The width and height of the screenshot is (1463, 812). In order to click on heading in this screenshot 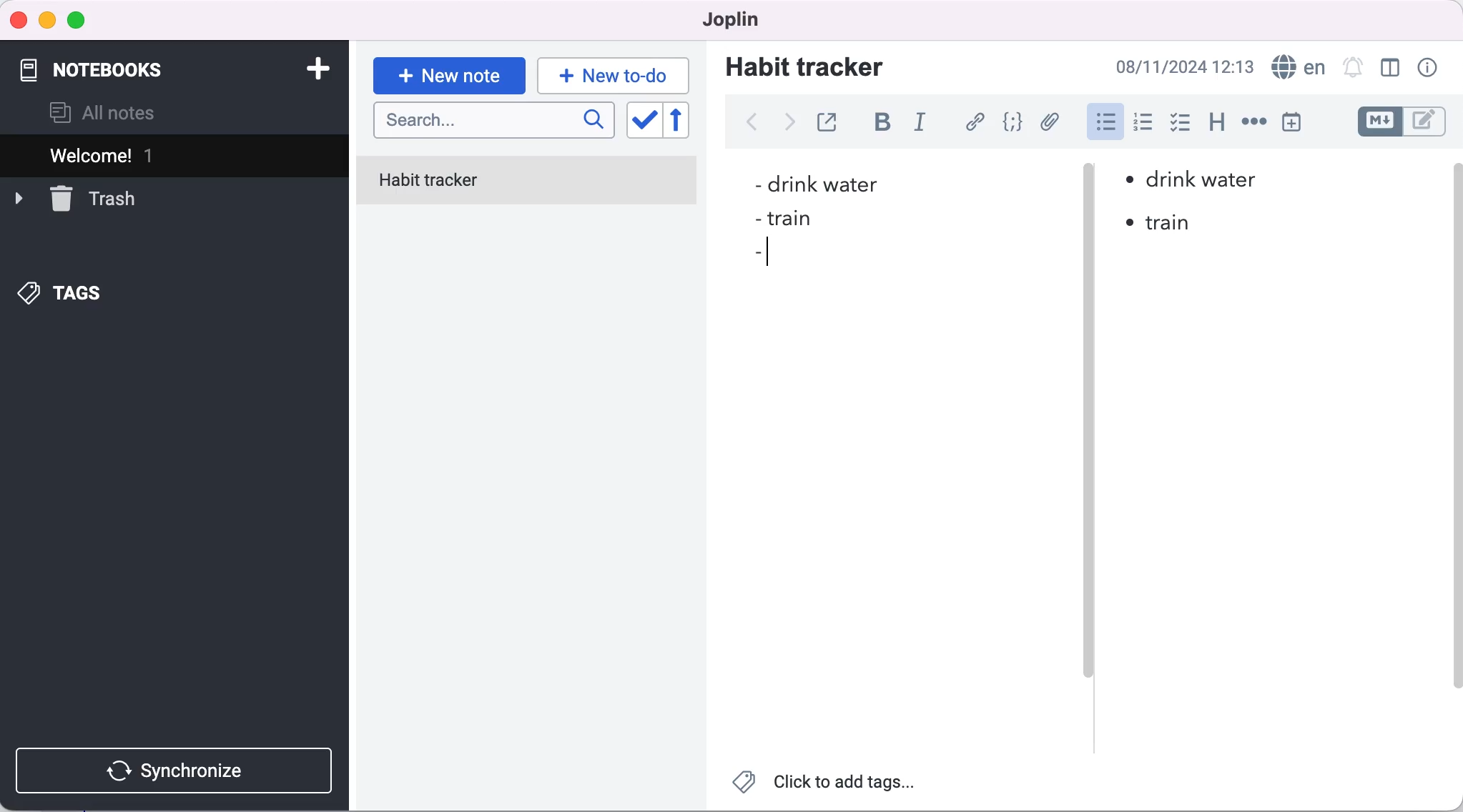, I will do `click(1218, 123)`.